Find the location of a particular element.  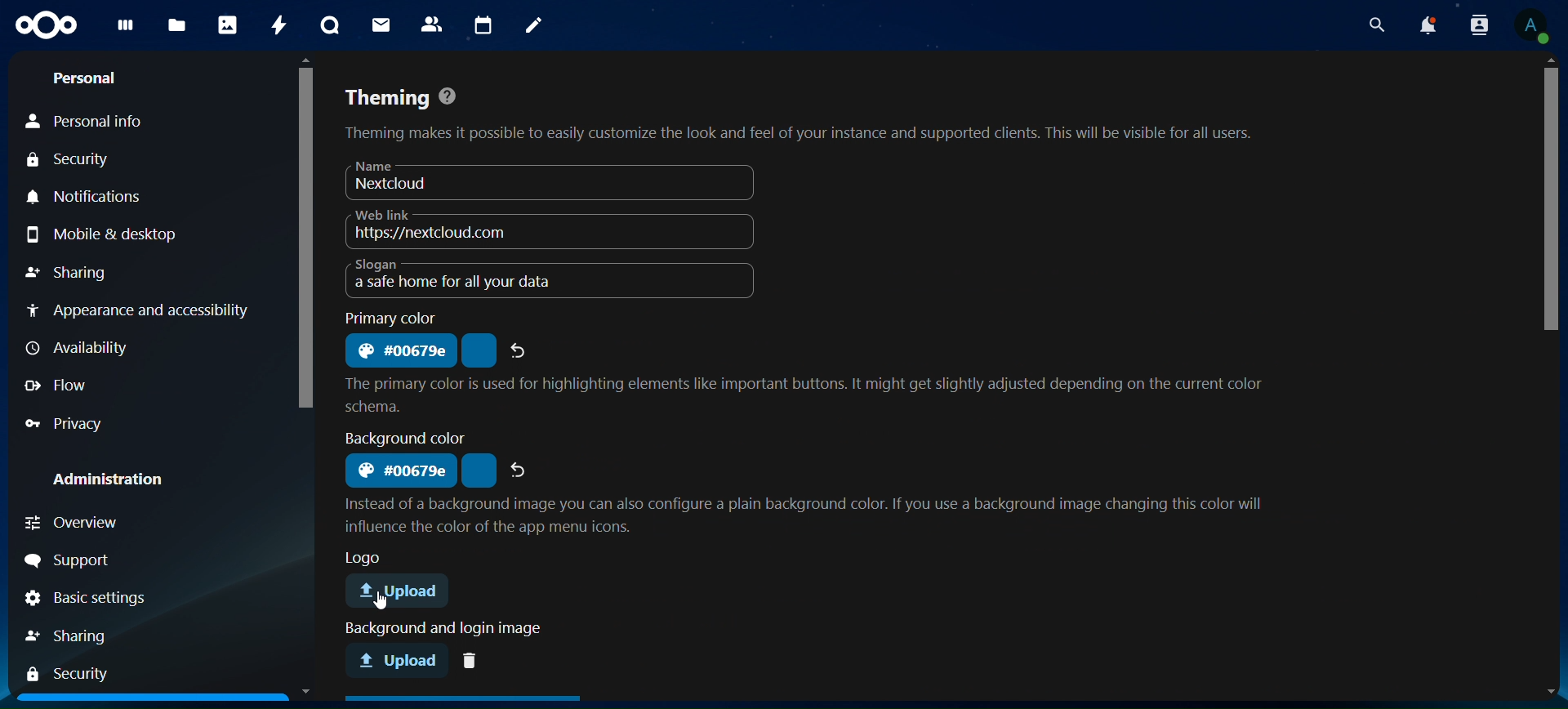

mobile & desktop is located at coordinates (126, 234).